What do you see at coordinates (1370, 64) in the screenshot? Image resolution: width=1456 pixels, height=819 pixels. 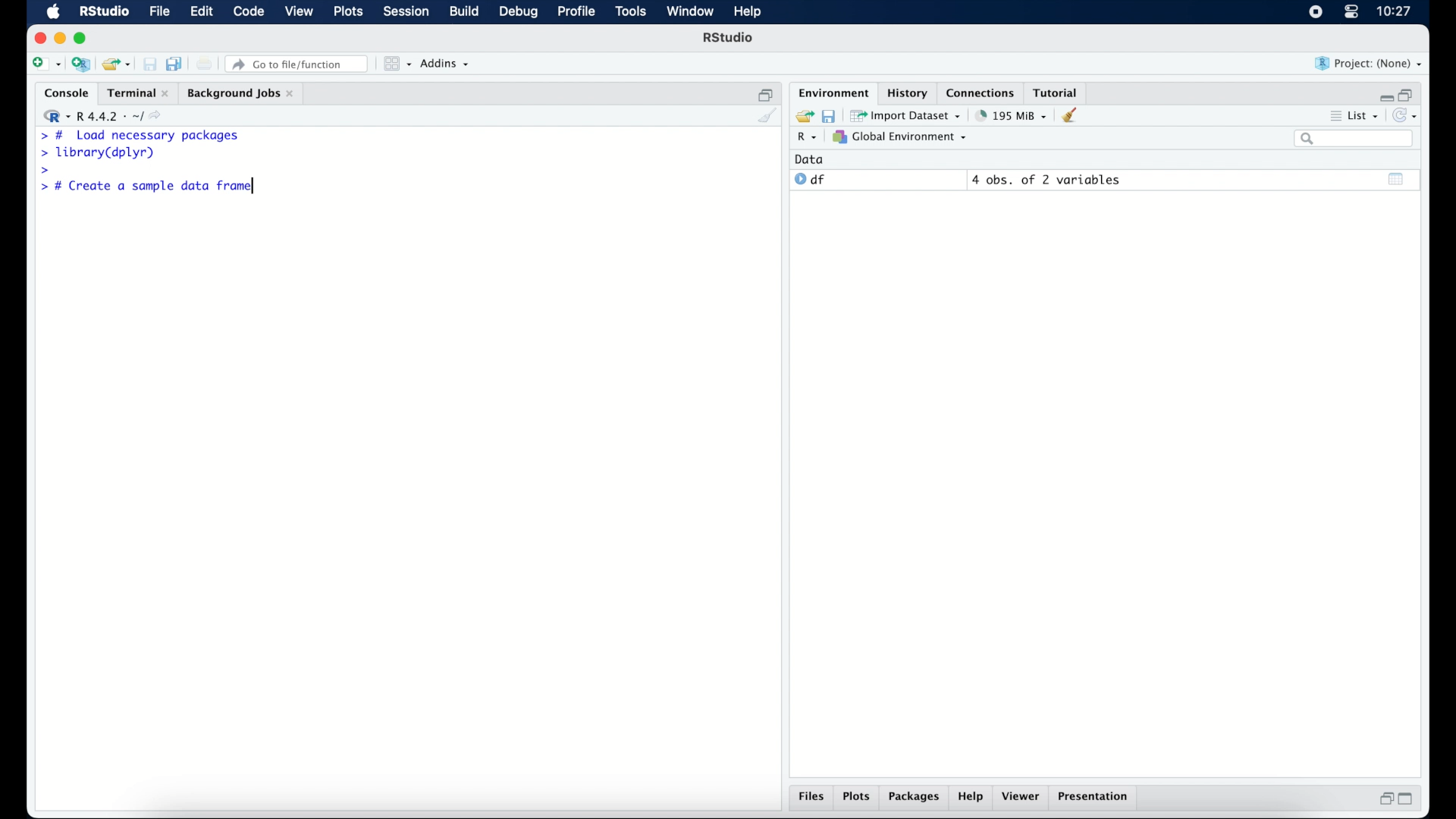 I see `project (none)` at bounding box center [1370, 64].